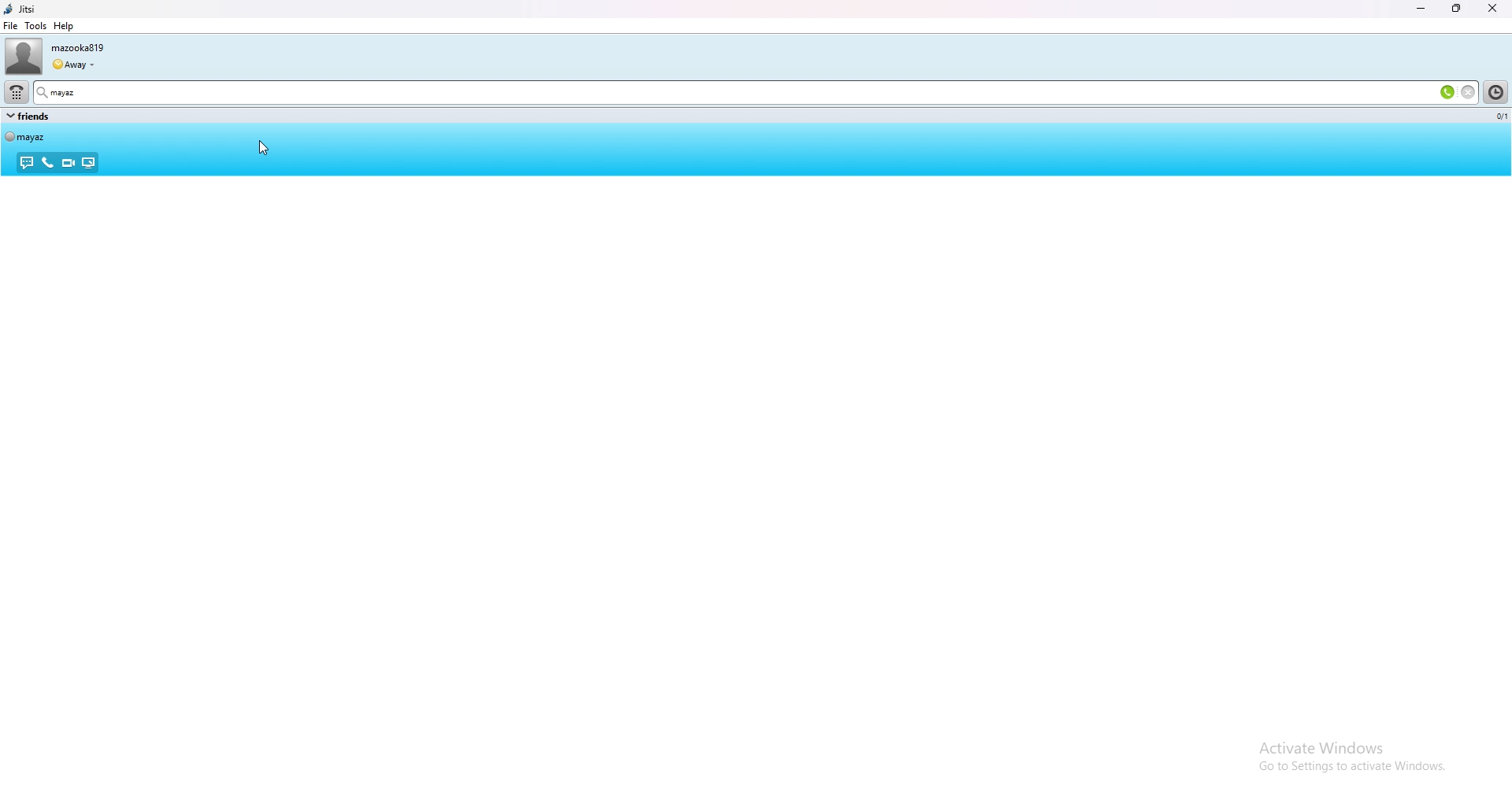 This screenshot has width=1512, height=811. I want to click on Away , so click(75, 62).